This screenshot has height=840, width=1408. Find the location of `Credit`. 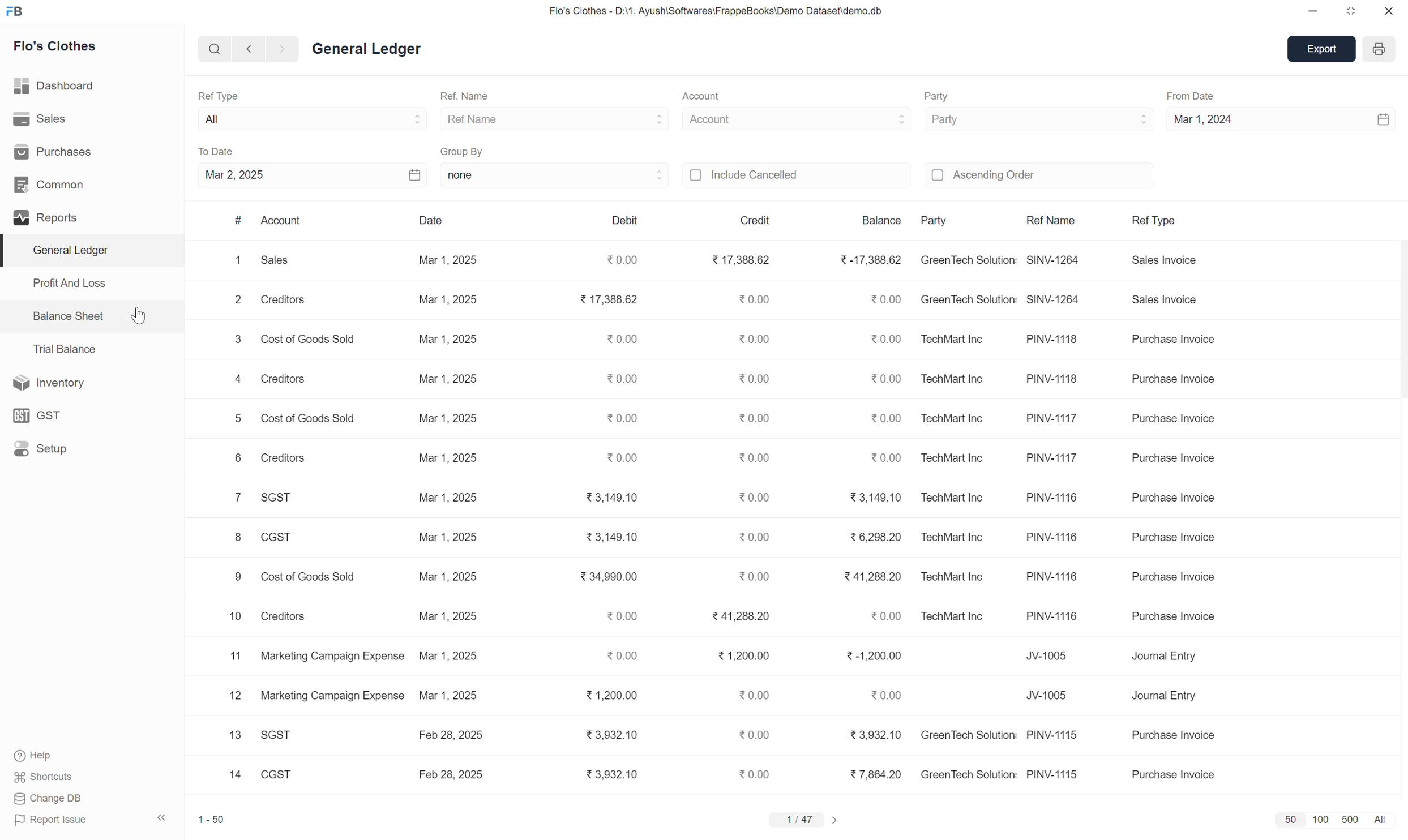

Credit is located at coordinates (761, 221).